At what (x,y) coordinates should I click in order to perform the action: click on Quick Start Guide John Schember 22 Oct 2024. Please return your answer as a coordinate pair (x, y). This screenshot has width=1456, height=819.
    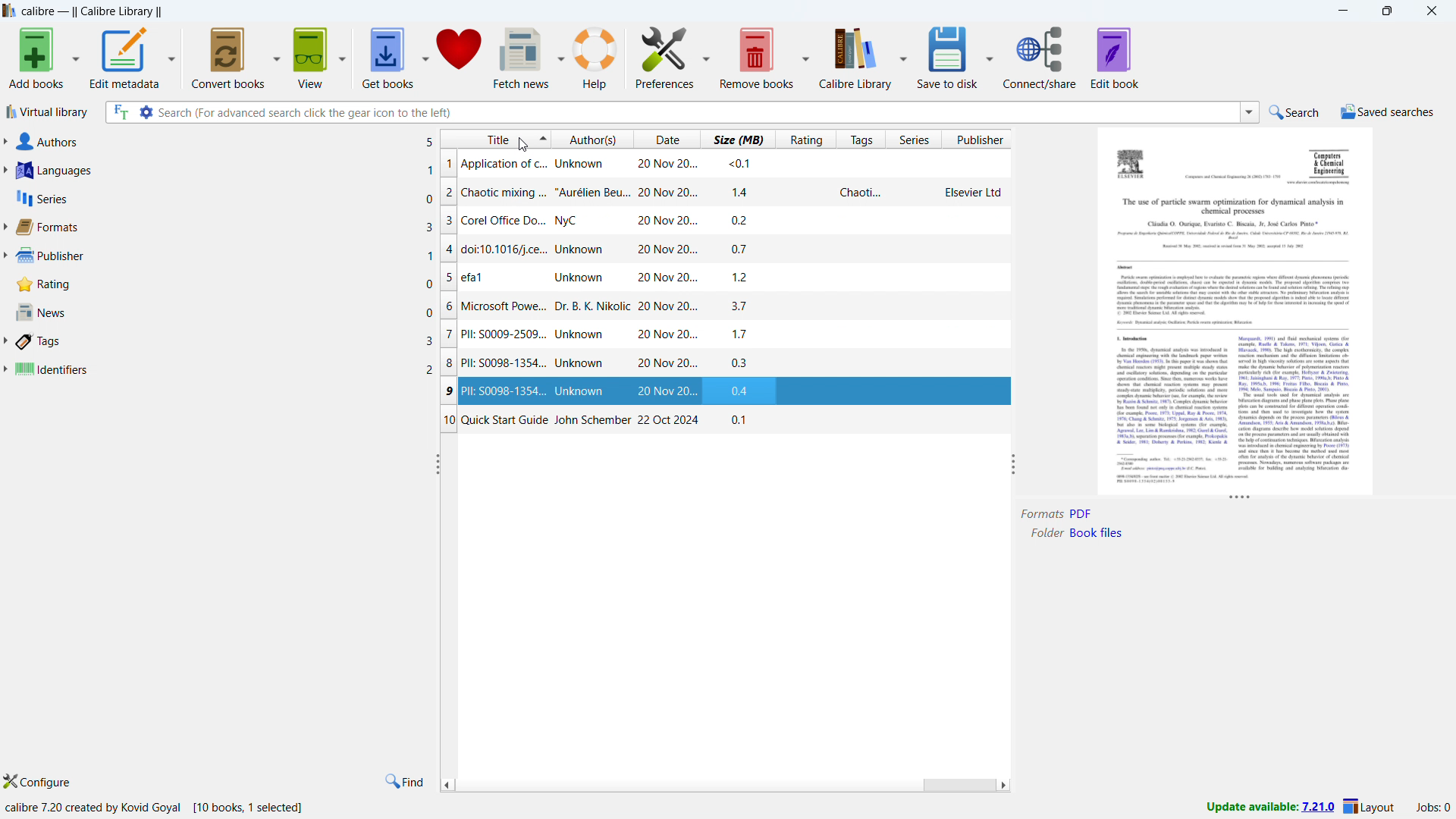
    Looking at the image, I should click on (585, 421).